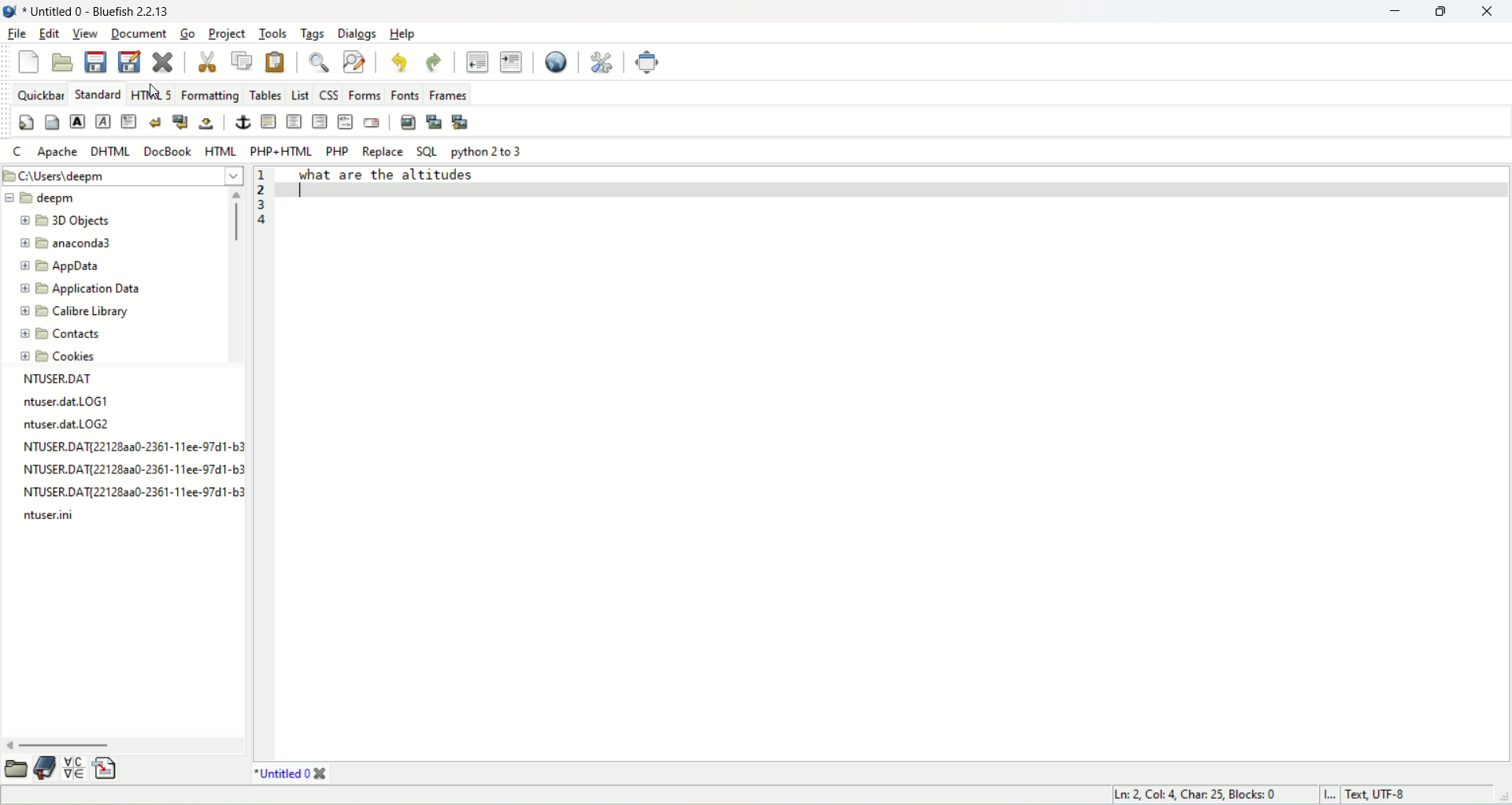 Image resolution: width=1512 pixels, height=805 pixels. I want to click on title, so click(289, 775).